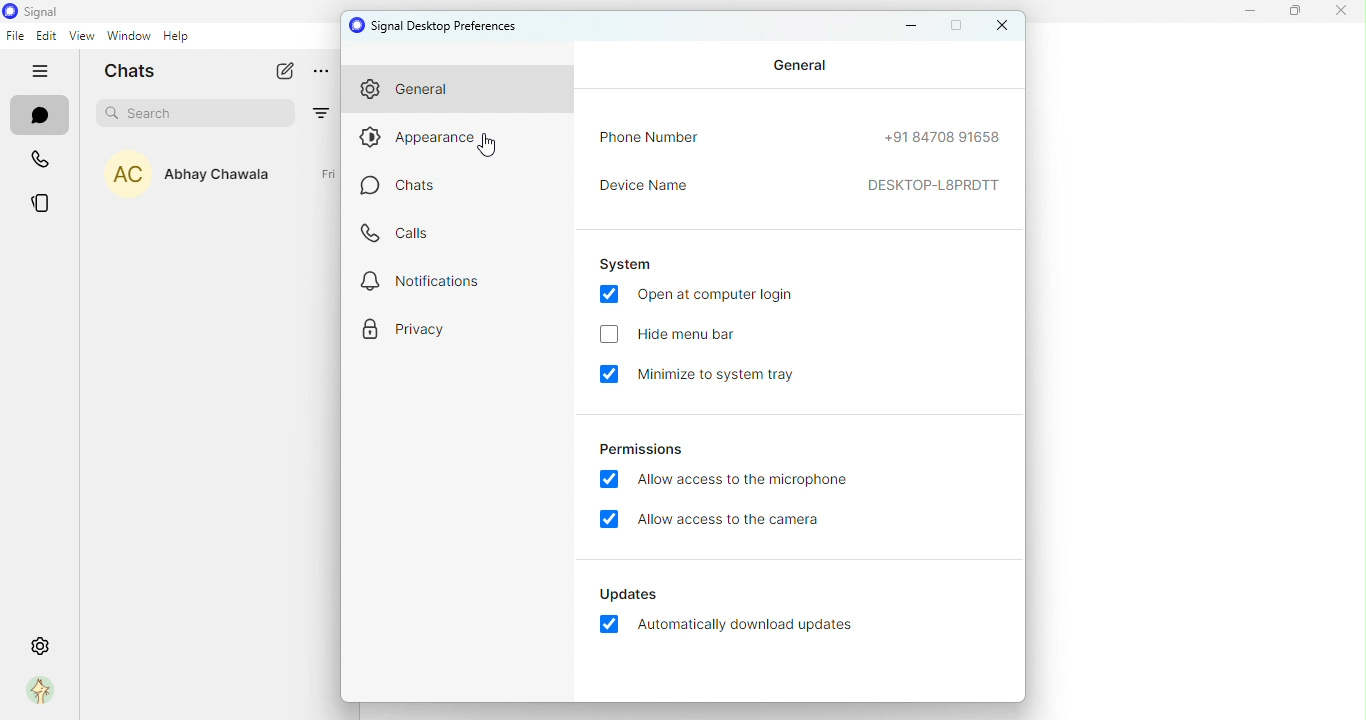 This screenshot has height=720, width=1366. What do you see at coordinates (714, 520) in the screenshot?
I see `allow access to the camera` at bounding box center [714, 520].